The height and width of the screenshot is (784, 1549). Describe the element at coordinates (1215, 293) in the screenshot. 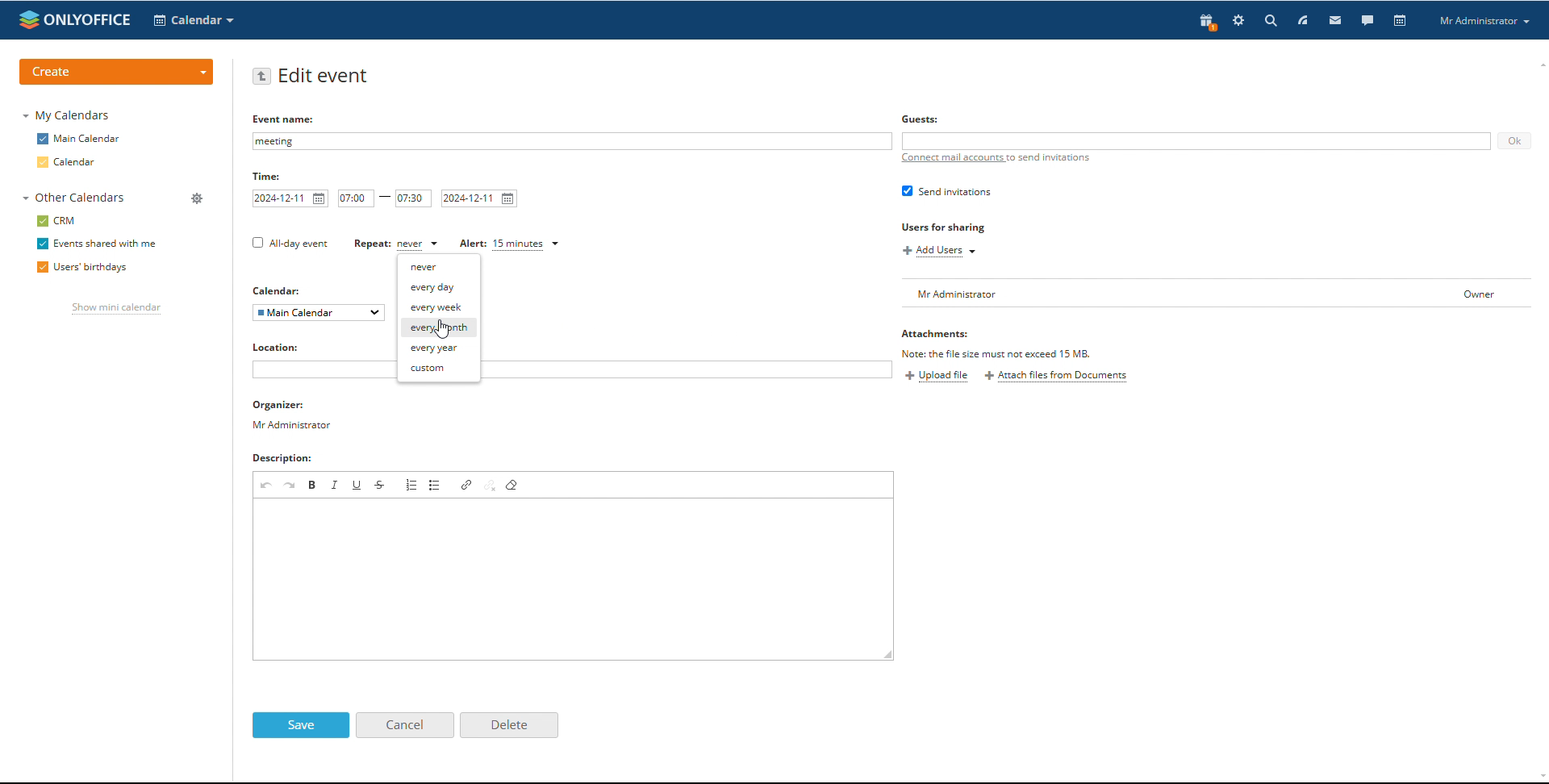

I see `user list` at that location.